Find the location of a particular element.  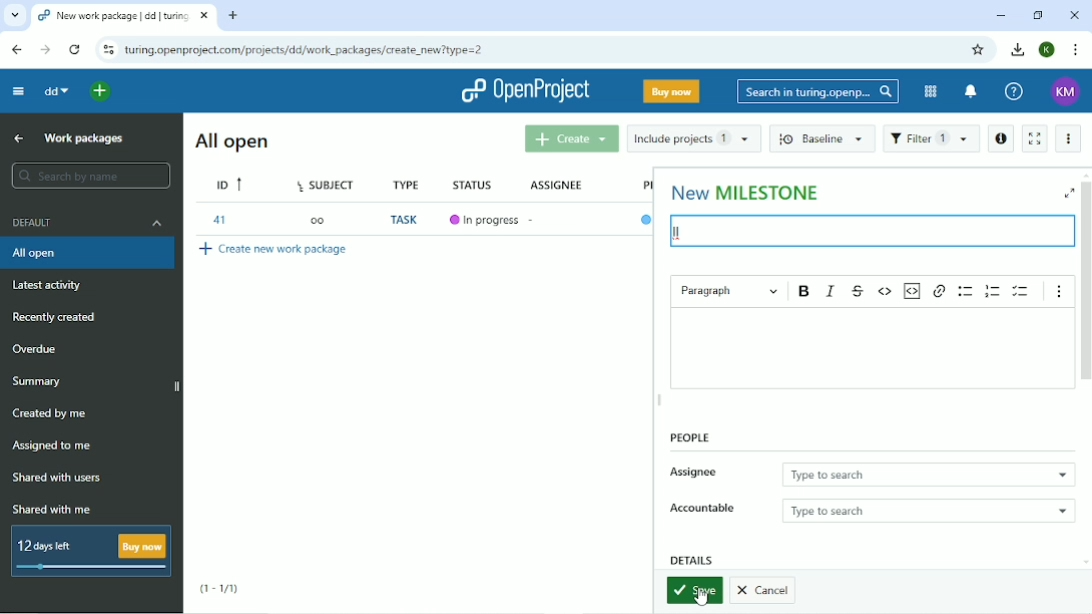

Insert code snippet is located at coordinates (914, 291).